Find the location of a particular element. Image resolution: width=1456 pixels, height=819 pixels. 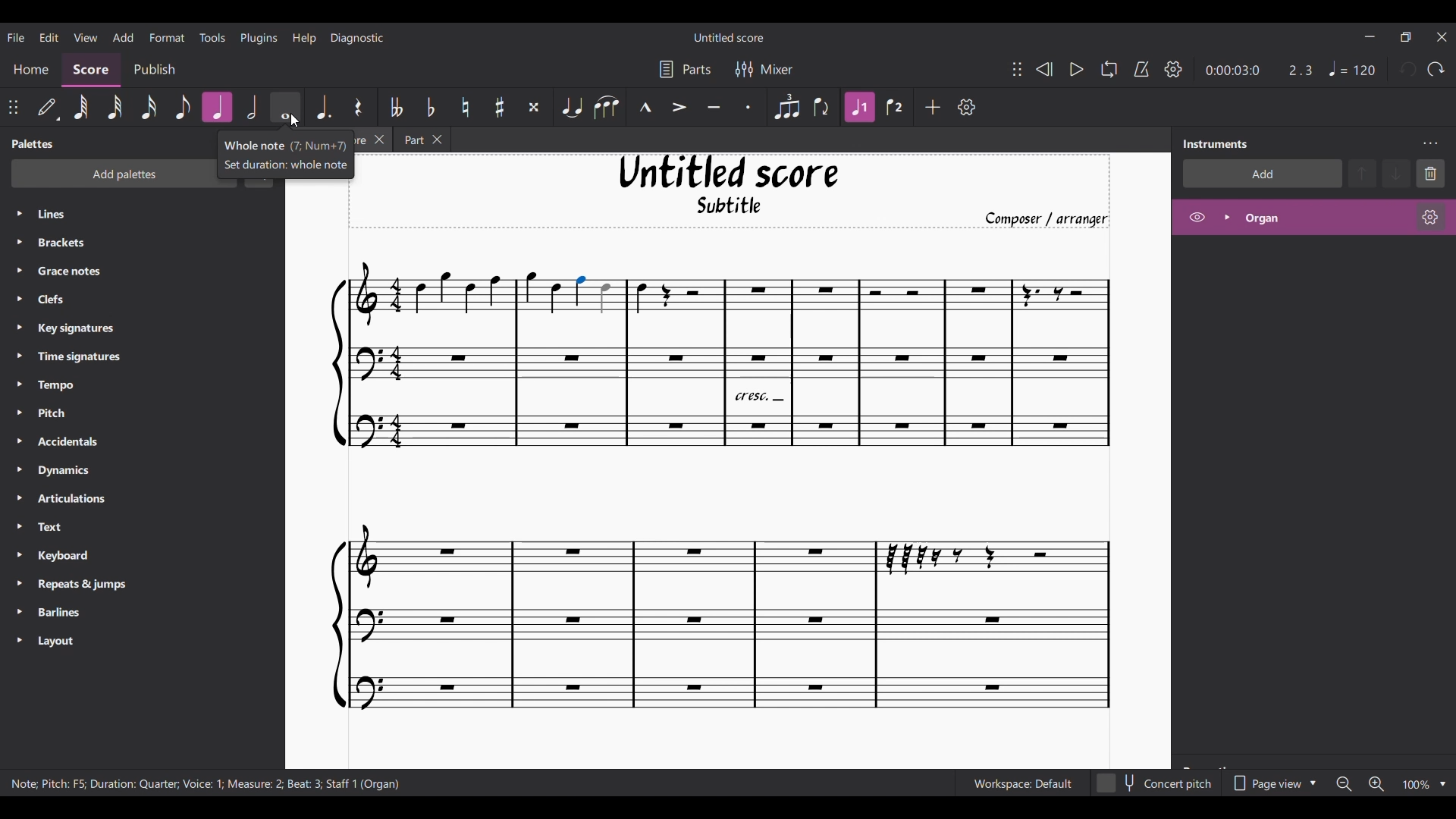

Voice 2 is located at coordinates (895, 107).